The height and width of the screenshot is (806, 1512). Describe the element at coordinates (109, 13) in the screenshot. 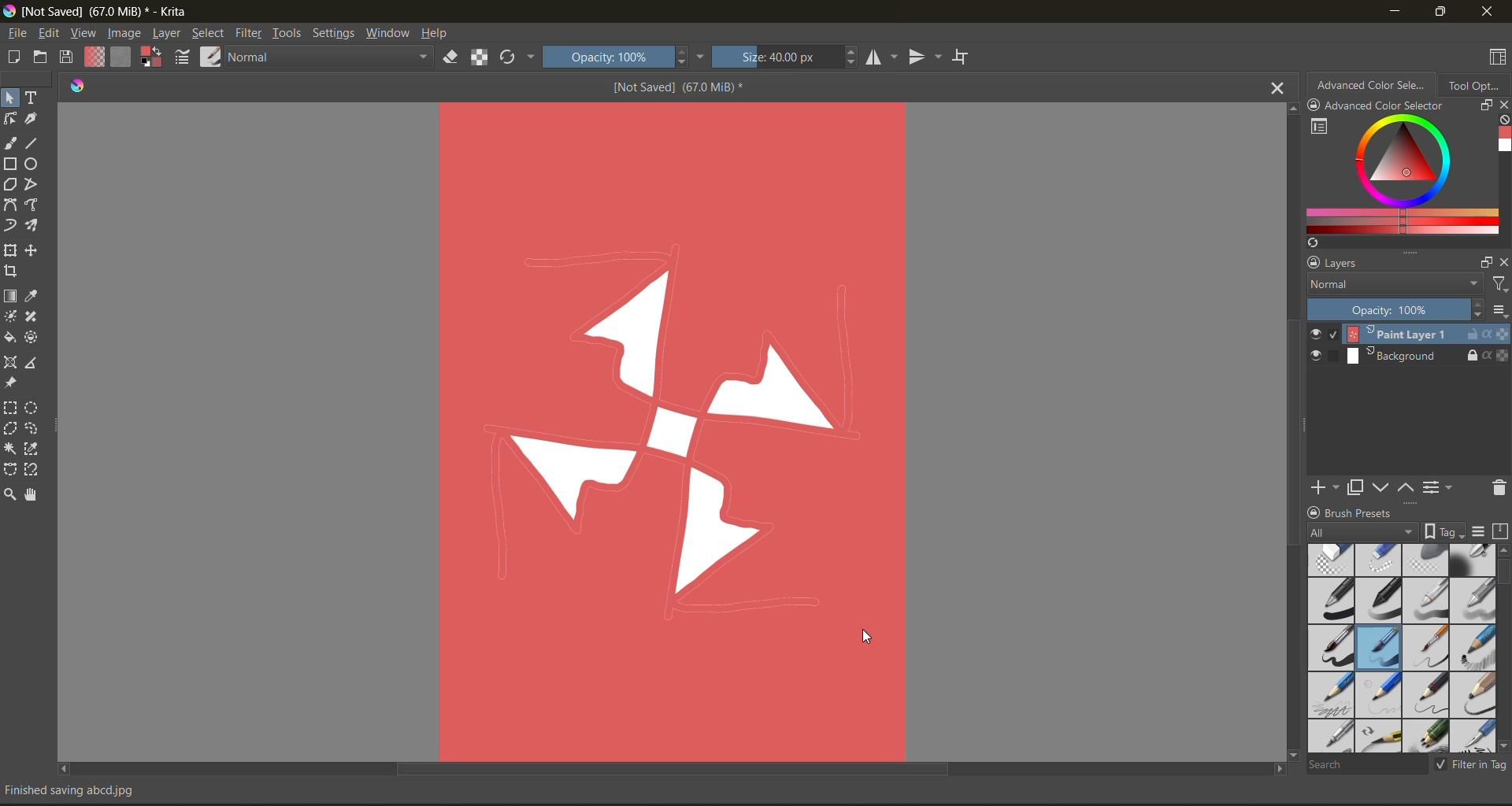

I see `app name and file name` at that location.